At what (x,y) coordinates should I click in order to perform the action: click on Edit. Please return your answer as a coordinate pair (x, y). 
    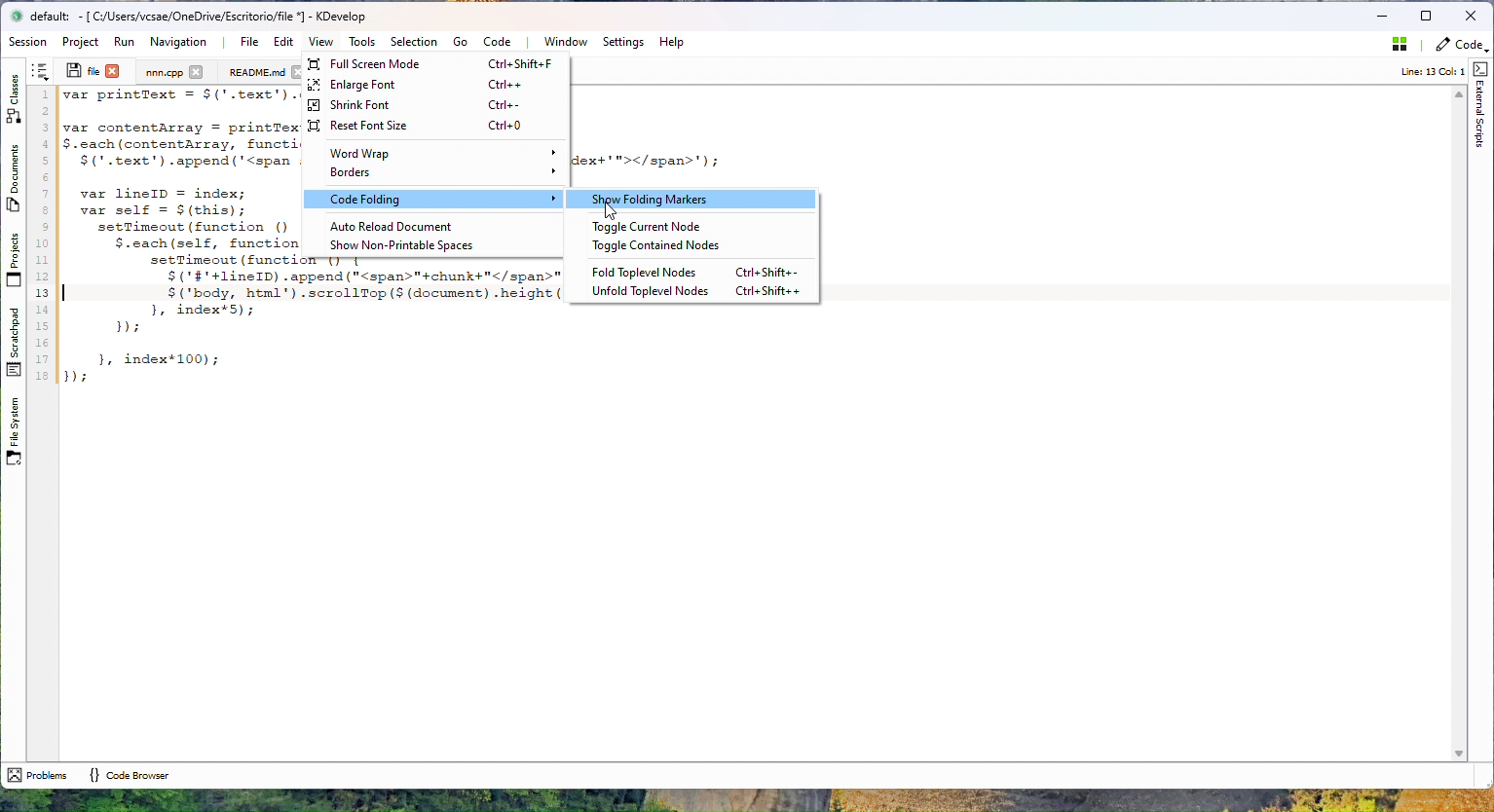
    Looking at the image, I should click on (280, 42).